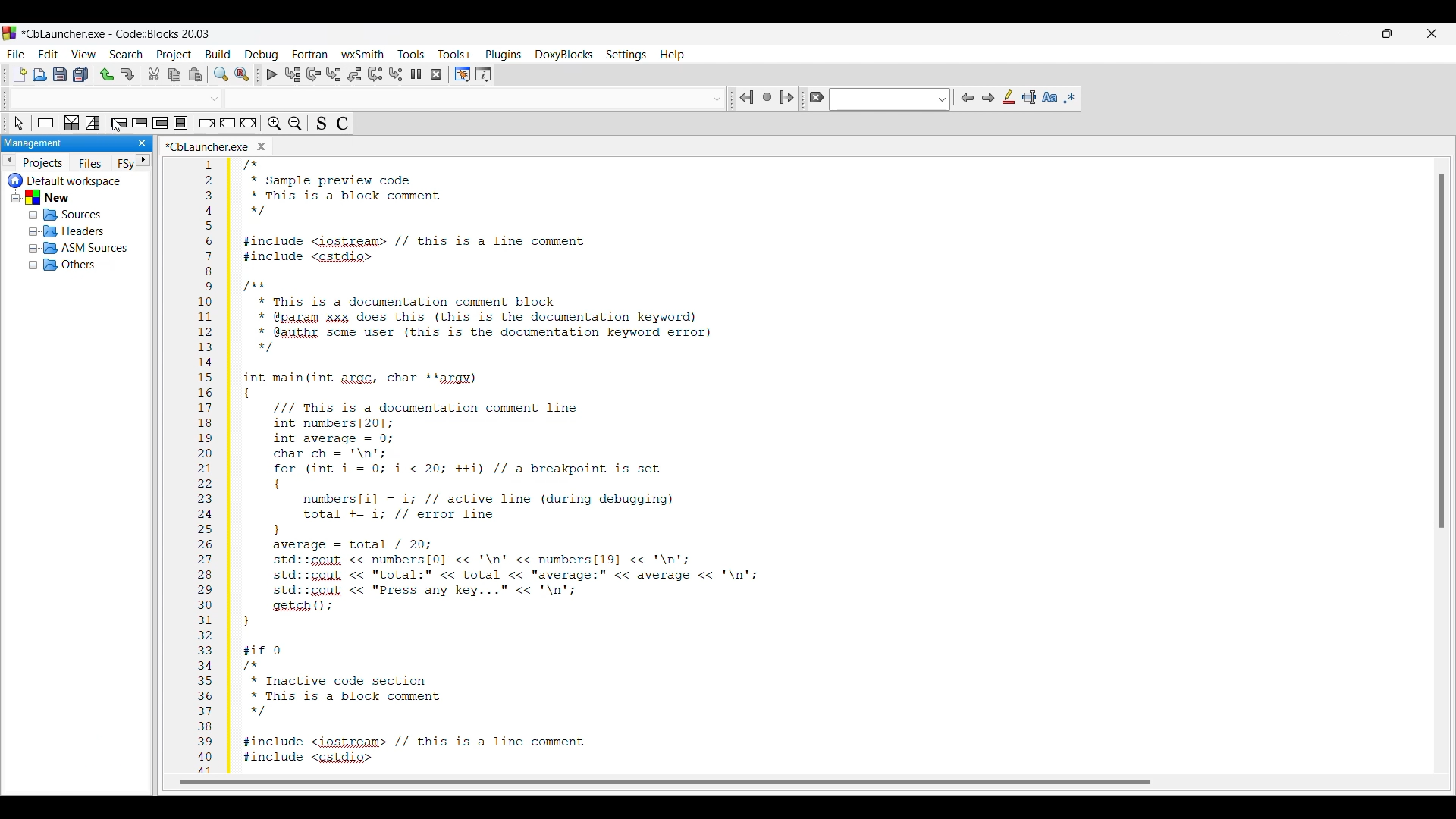  Describe the element at coordinates (643, 782) in the screenshot. I see `Horizontal slide bar` at that location.